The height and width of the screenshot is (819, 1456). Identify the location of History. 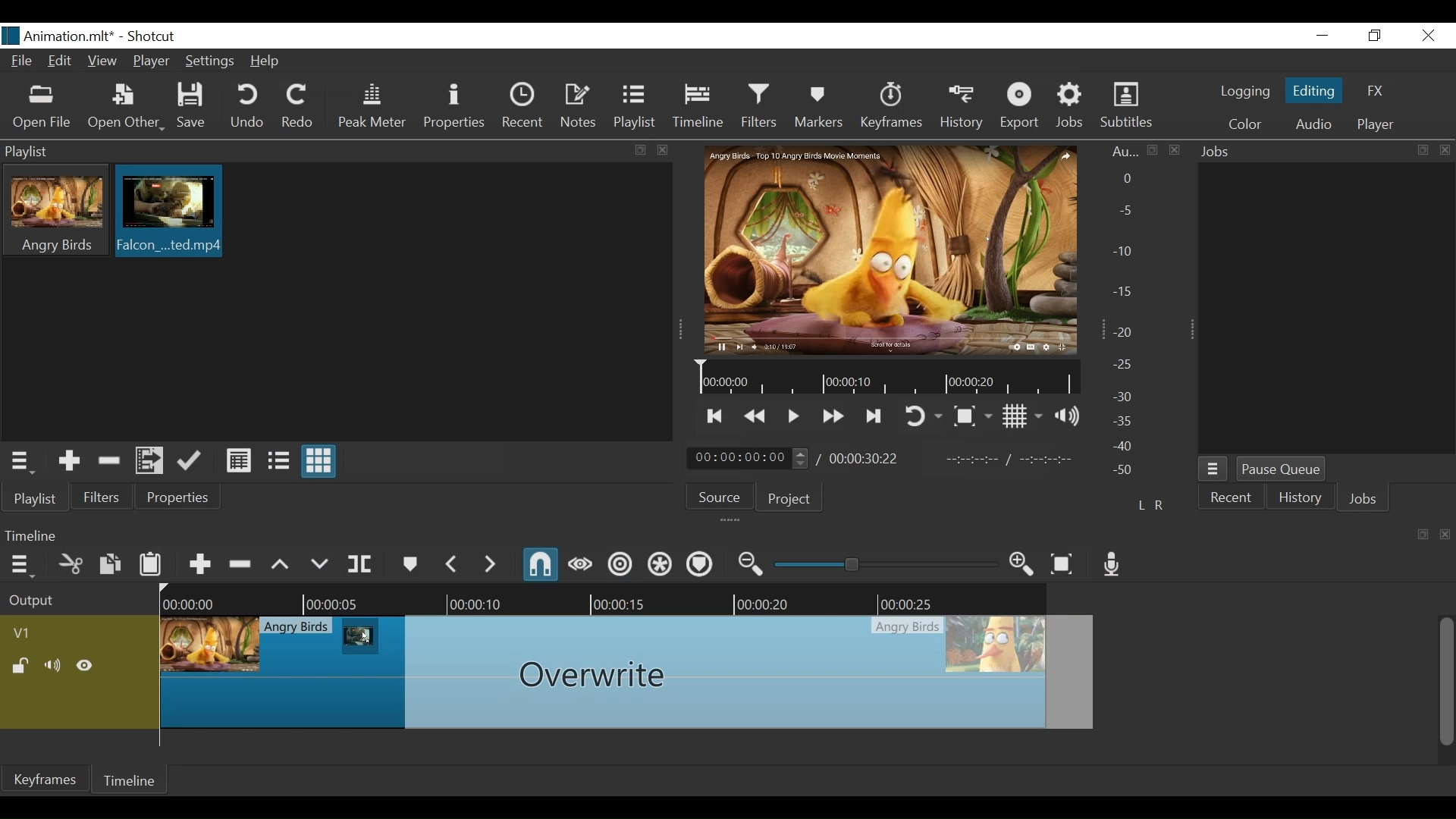
(962, 108).